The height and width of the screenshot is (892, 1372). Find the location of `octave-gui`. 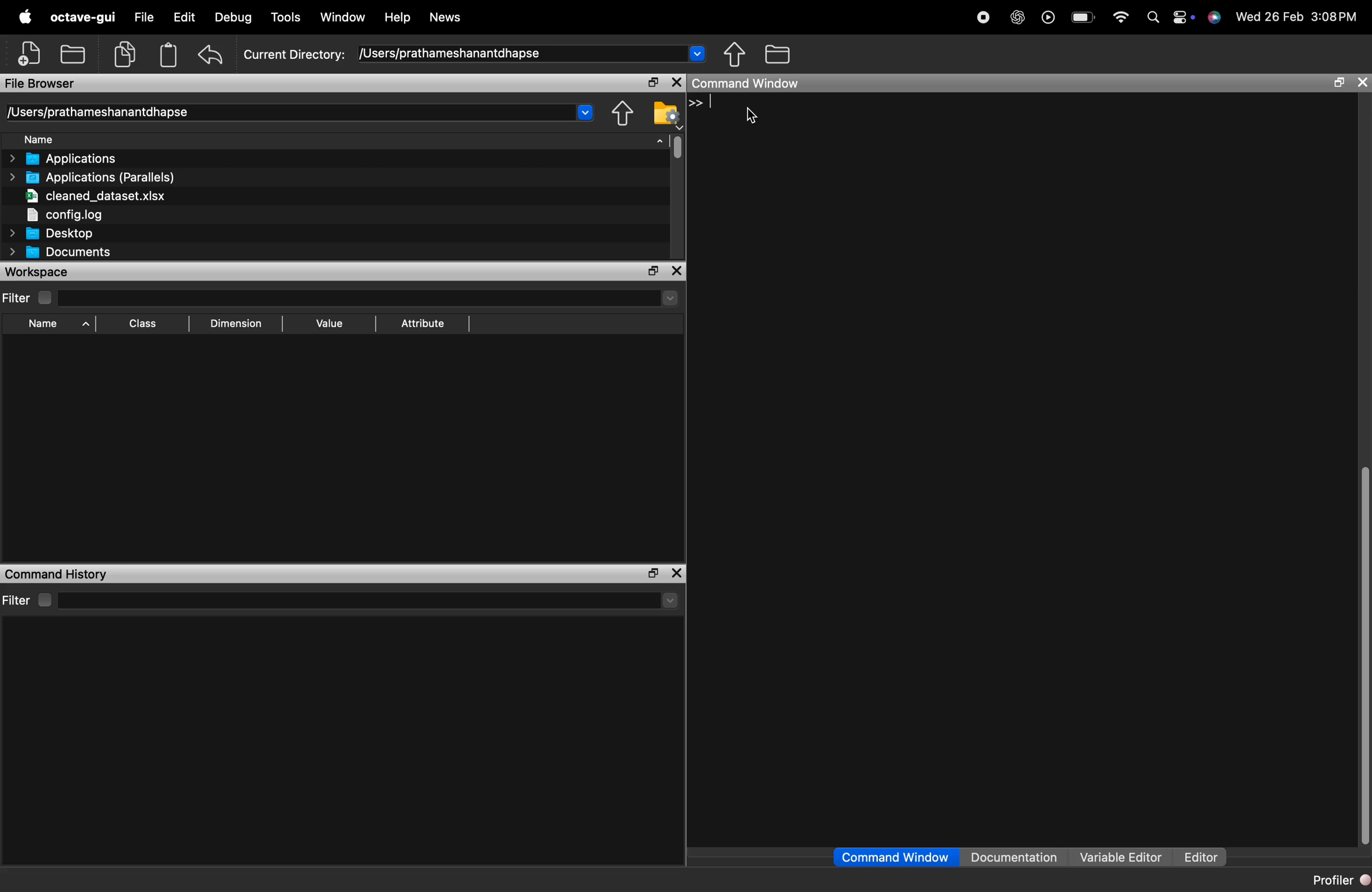

octave-gui is located at coordinates (82, 18).